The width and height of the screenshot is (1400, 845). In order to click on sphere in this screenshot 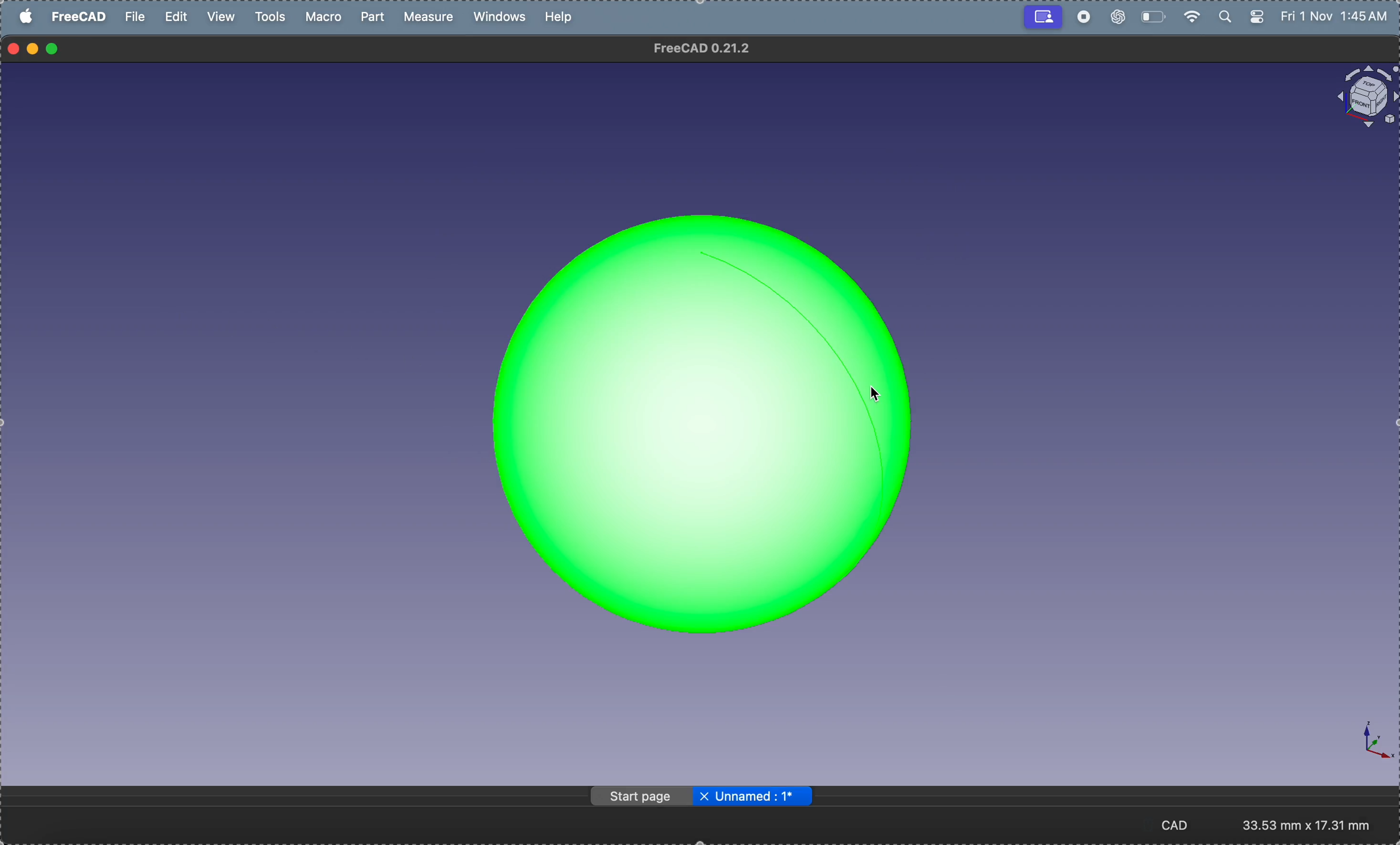, I will do `click(707, 417)`.